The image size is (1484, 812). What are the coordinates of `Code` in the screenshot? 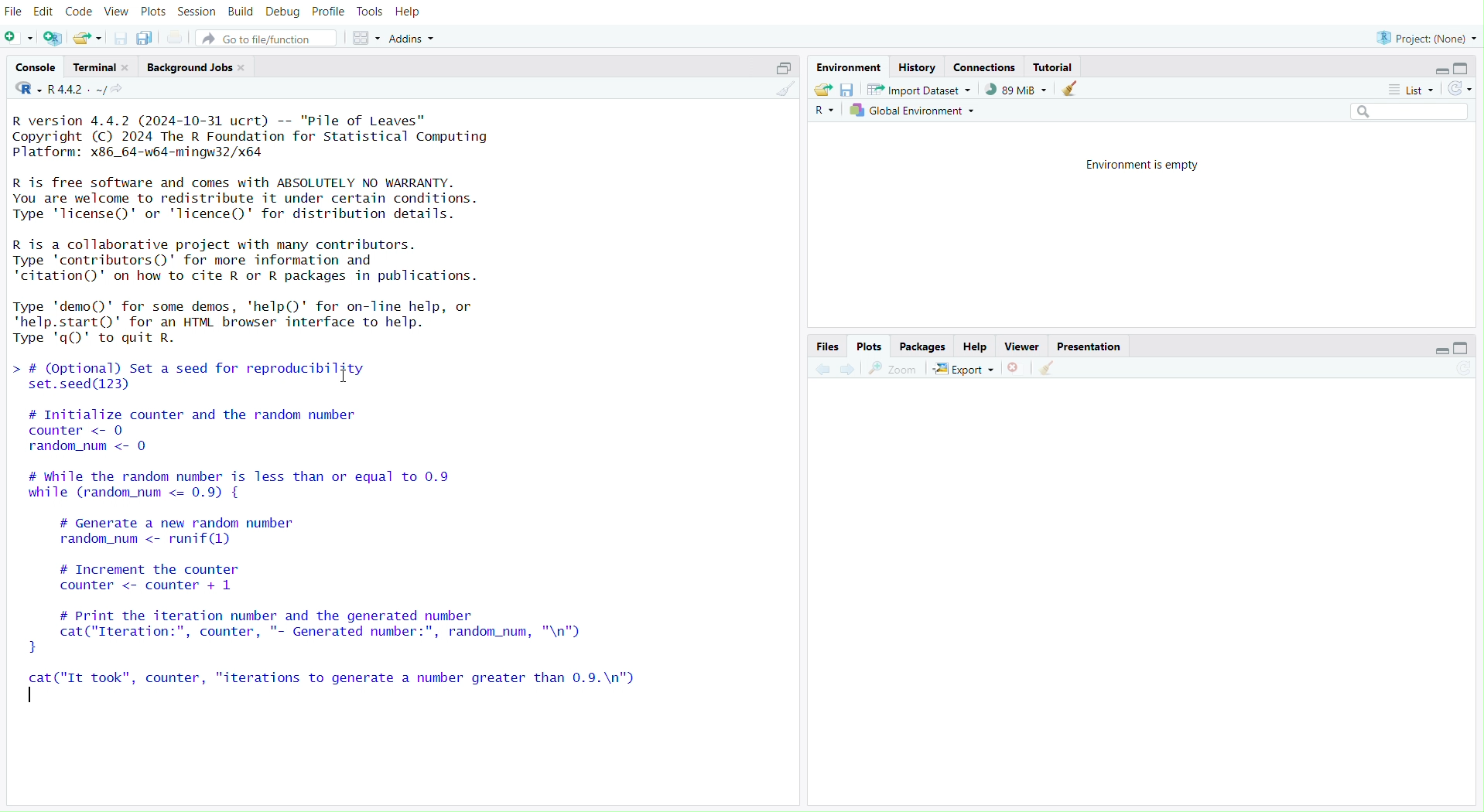 It's located at (77, 11).